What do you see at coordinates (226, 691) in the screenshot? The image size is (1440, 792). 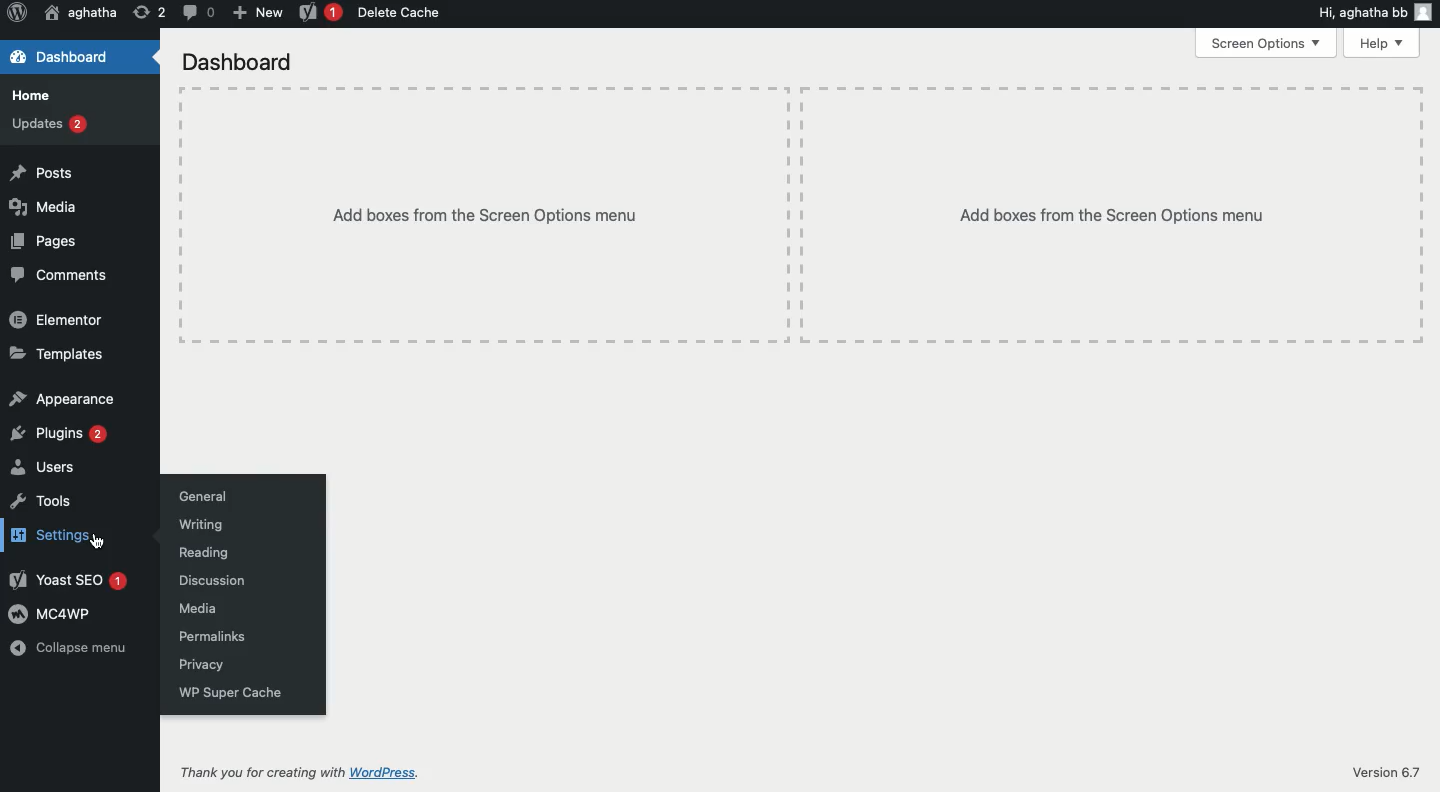 I see `WP super cache` at bounding box center [226, 691].